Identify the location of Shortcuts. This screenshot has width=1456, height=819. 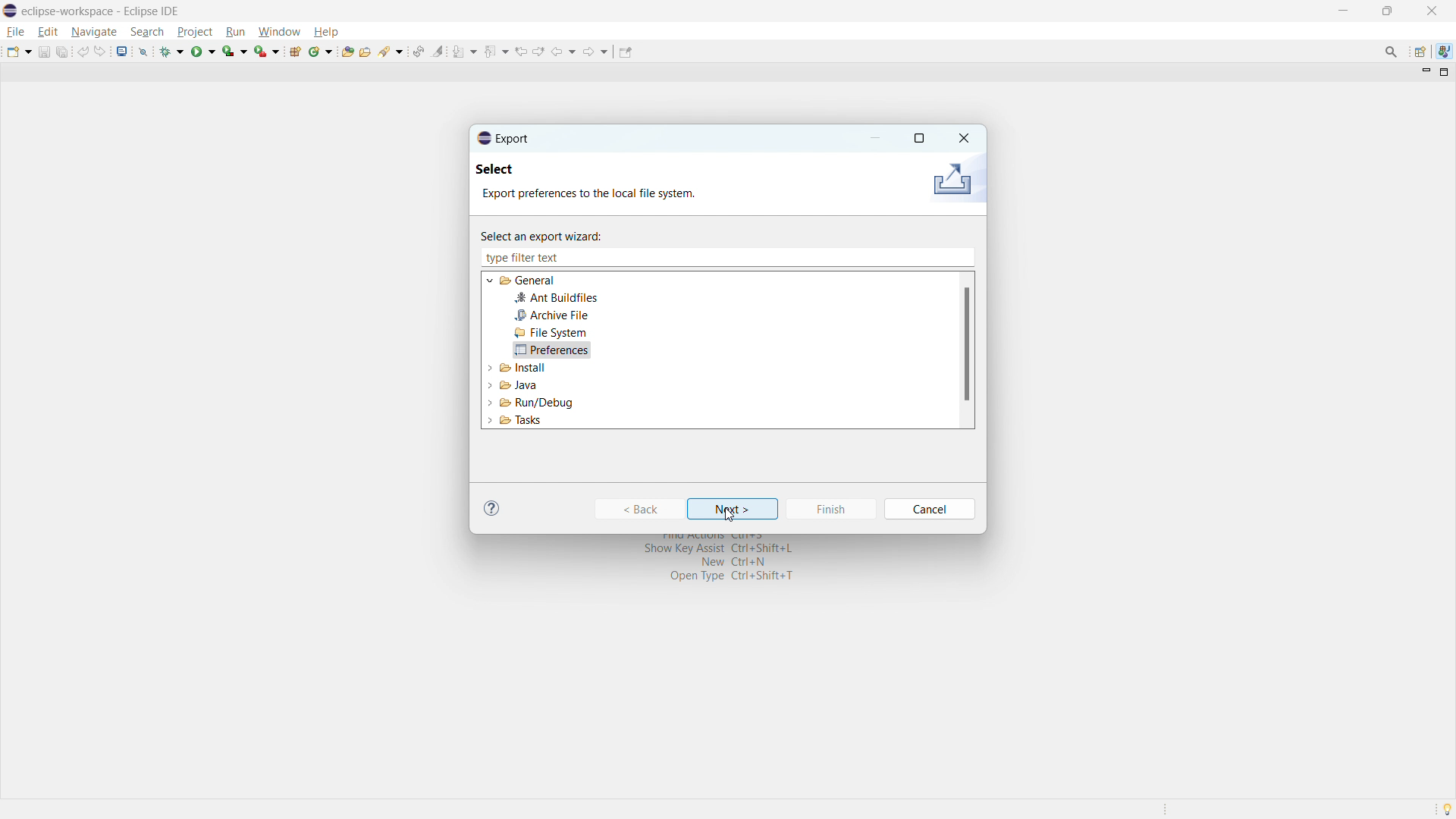
(709, 573).